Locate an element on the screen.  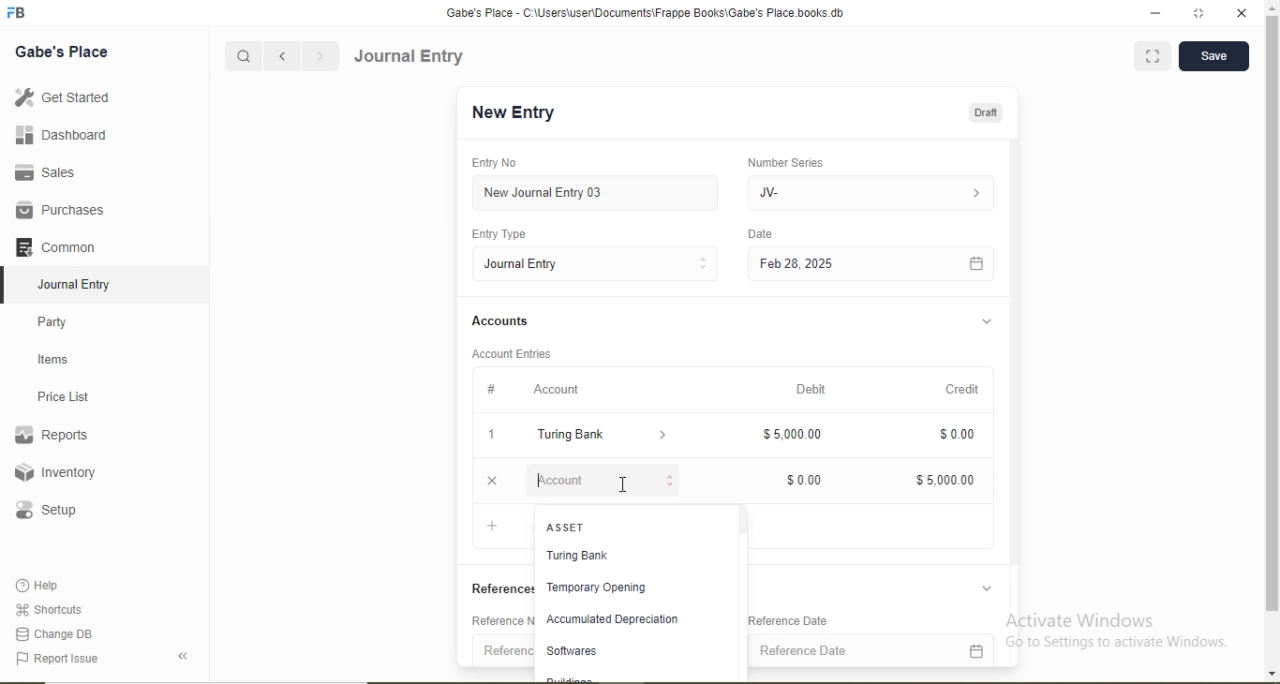
Items is located at coordinates (53, 359).